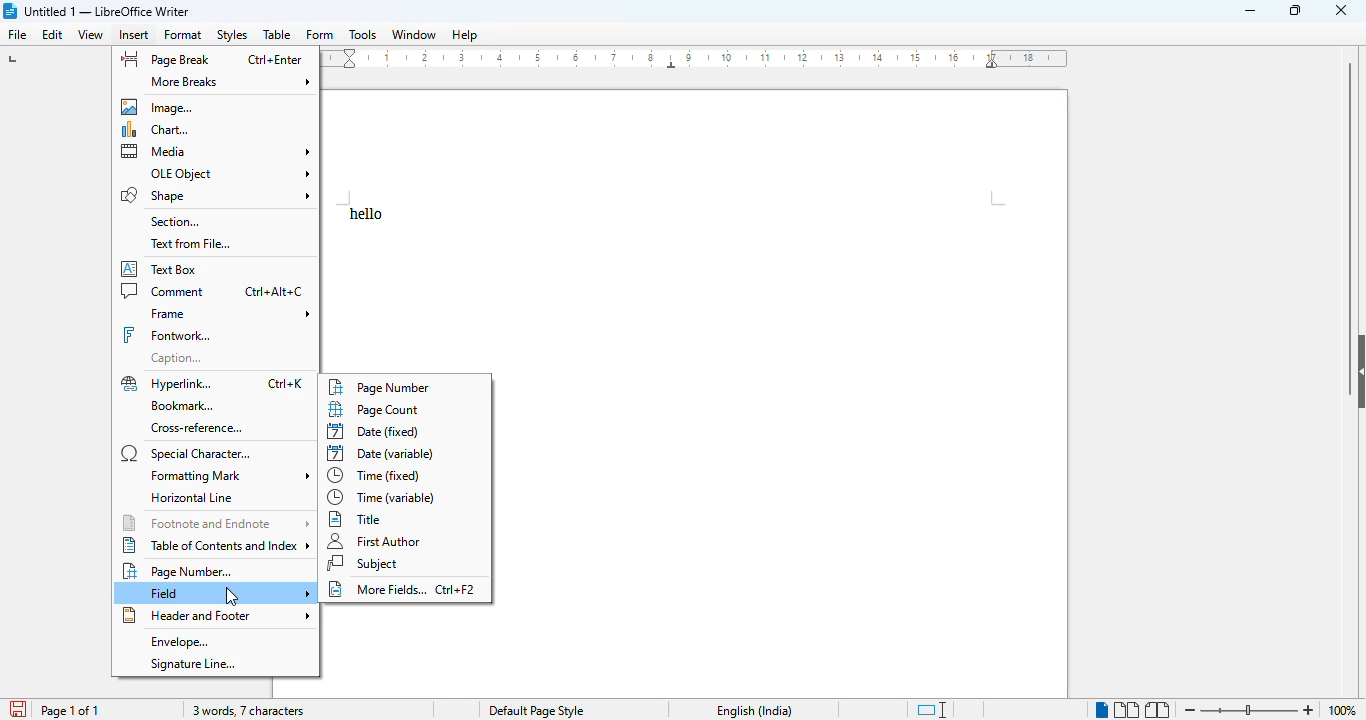 Image resolution: width=1366 pixels, height=720 pixels. What do you see at coordinates (216, 151) in the screenshot?
I see `media` at bounding box center [216, 151].